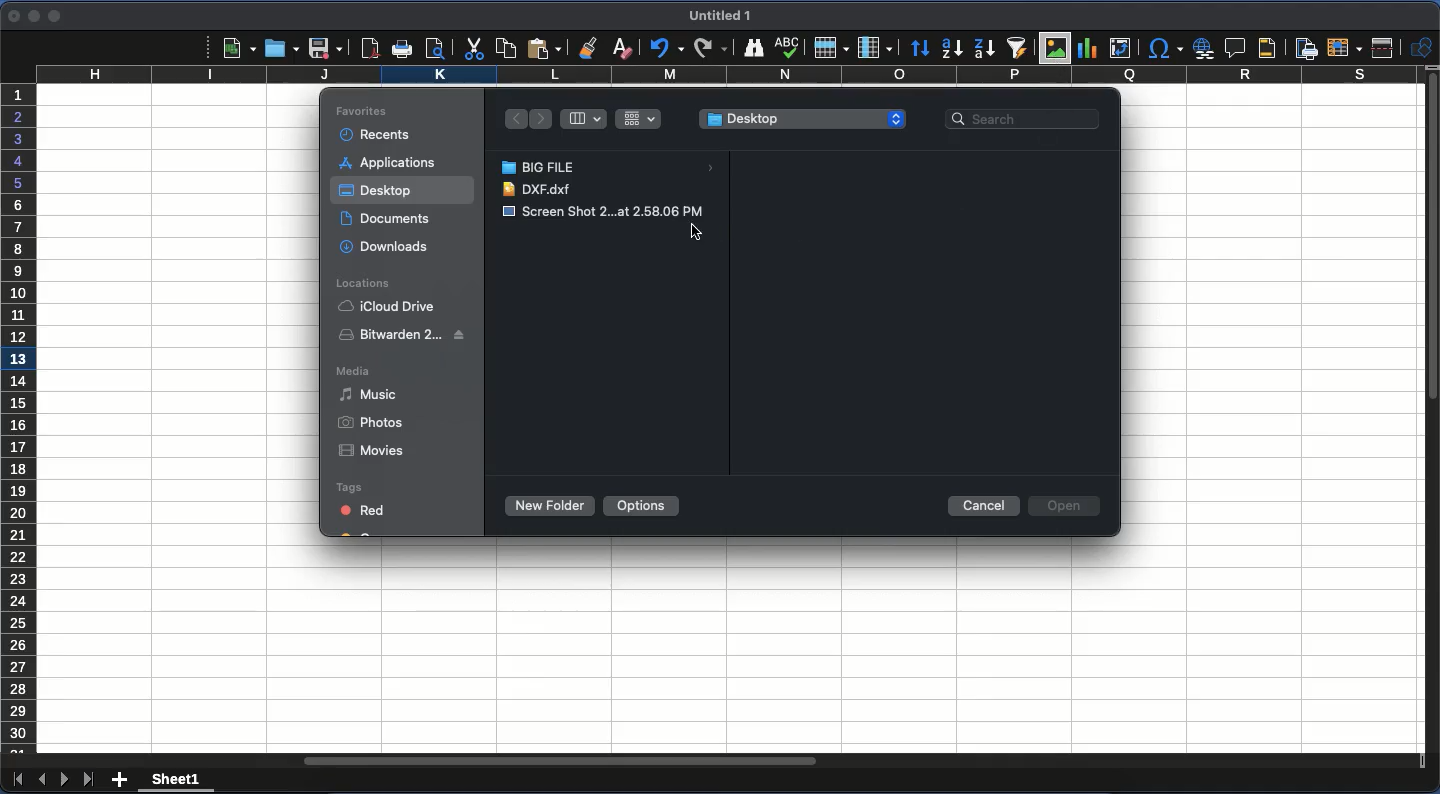 The height and width of the screenshot is (794, 1440). I want to click on freeze rows and columns, so click(1346, 48).